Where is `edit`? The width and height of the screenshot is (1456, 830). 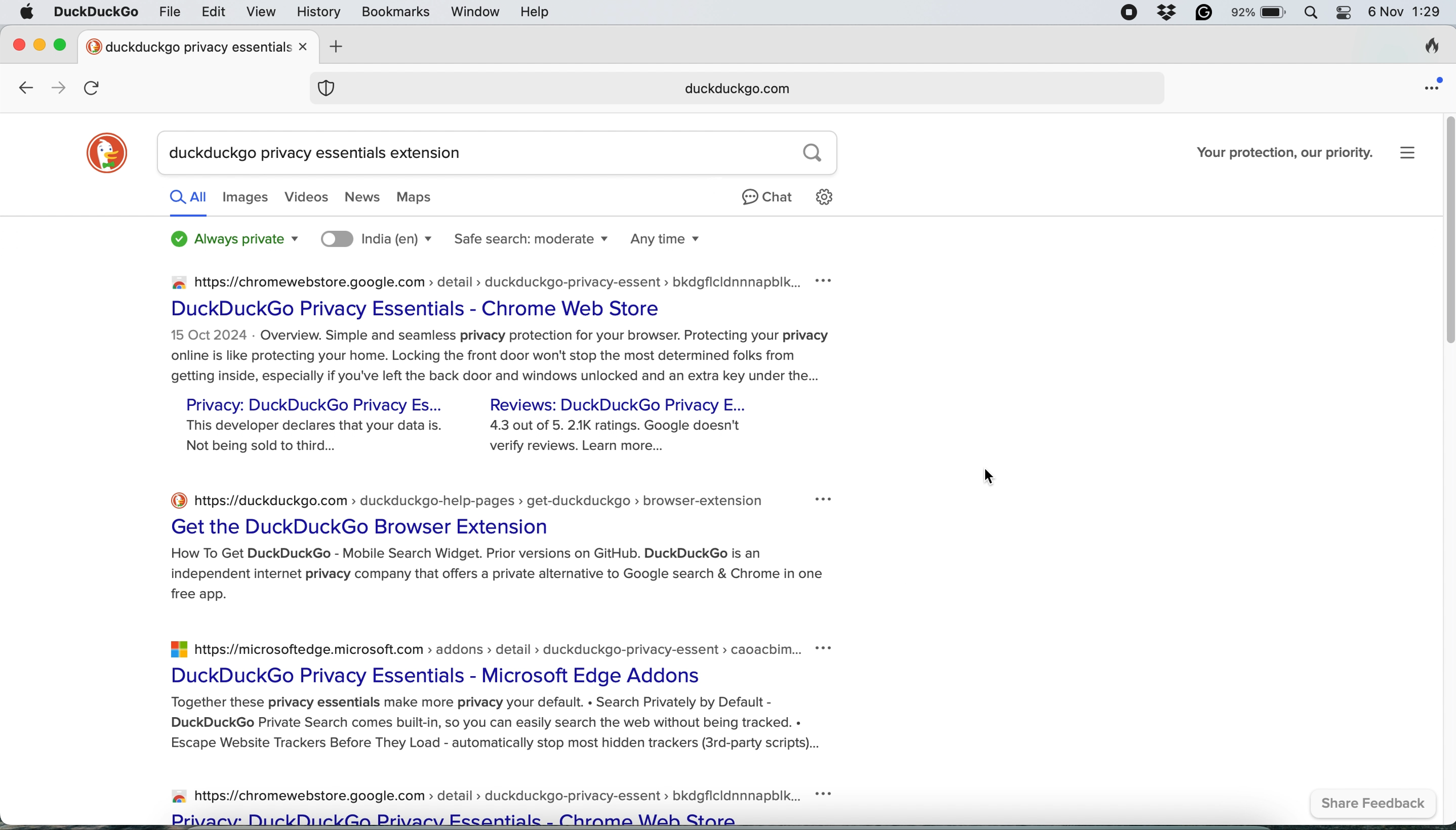 edit is located at coordinates (213, 13).